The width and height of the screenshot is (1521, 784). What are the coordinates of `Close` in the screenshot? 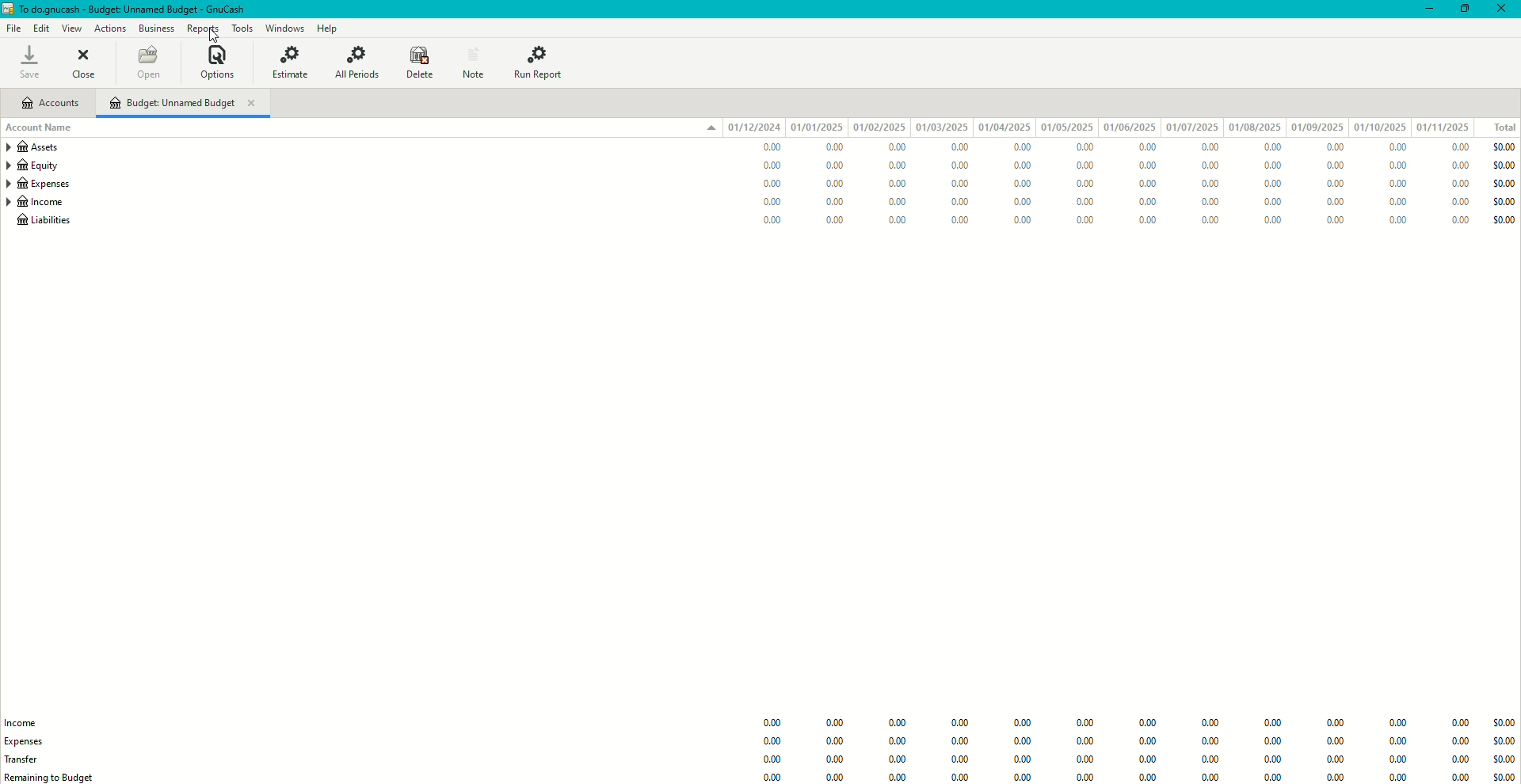 It's located at (83, 63).